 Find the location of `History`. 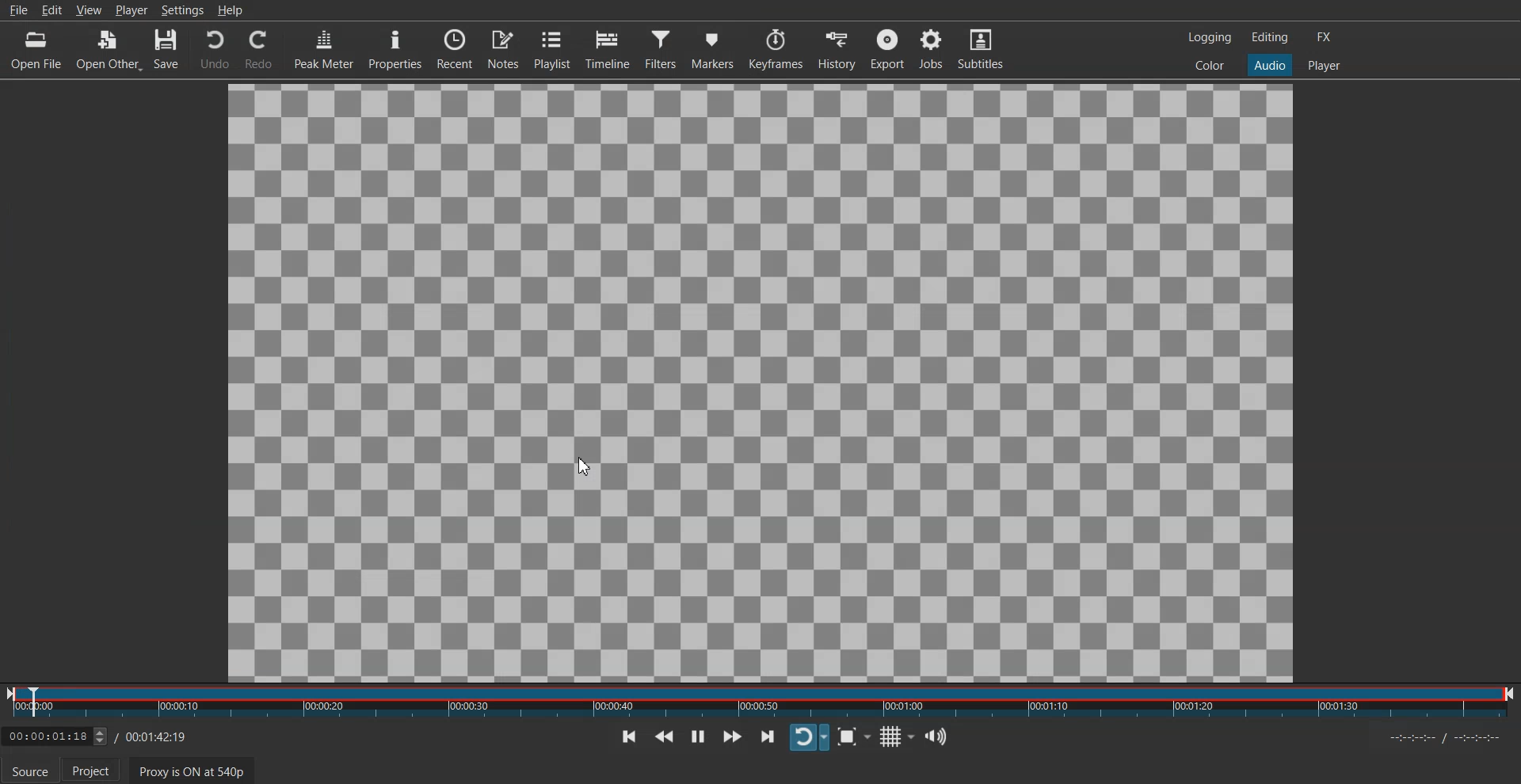

History is located at coordinates (839, 48).